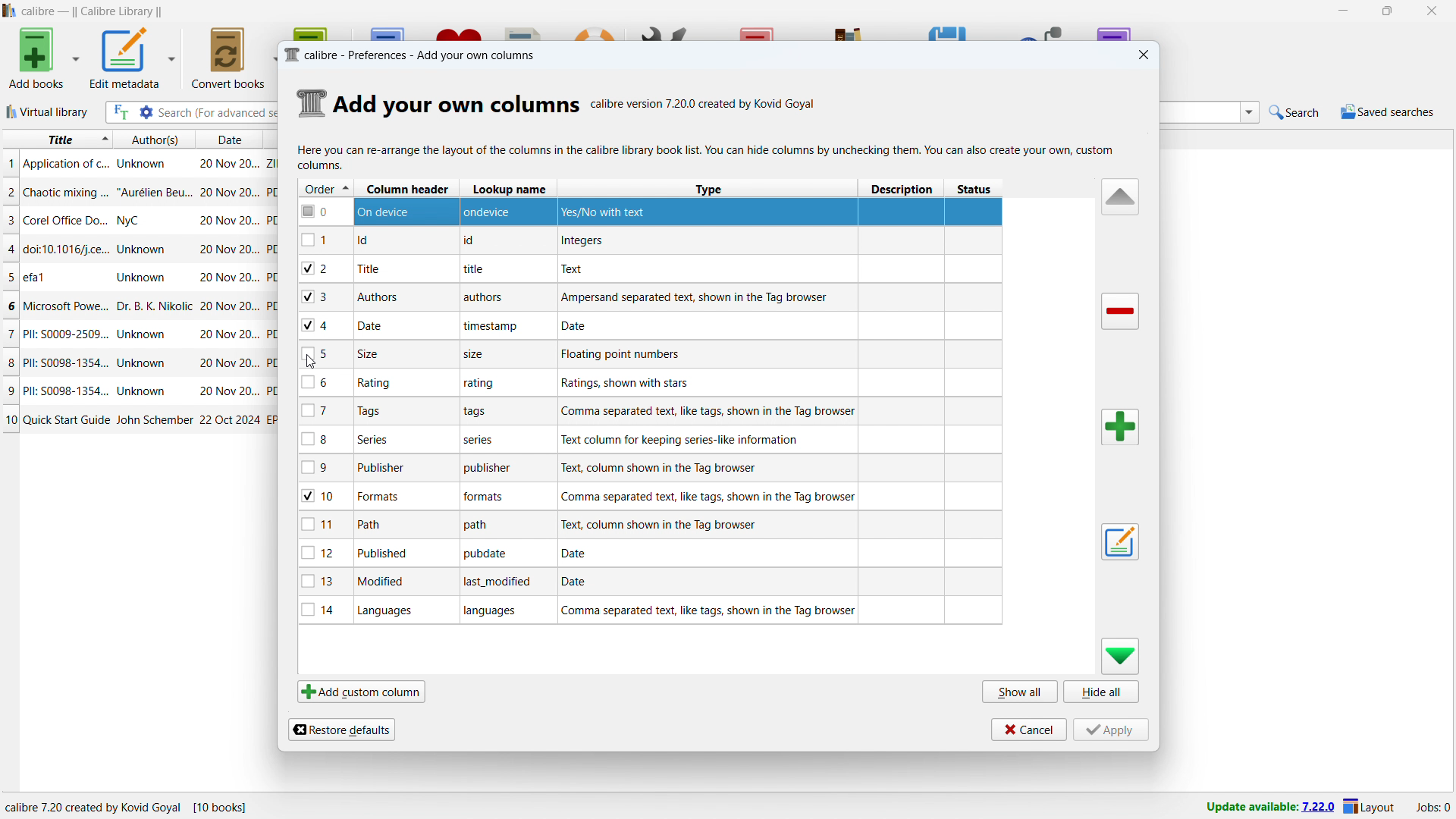  What do you see at coordinates (230, 363) in the screenshot?
I see `date` at bounding box center [230, 363].